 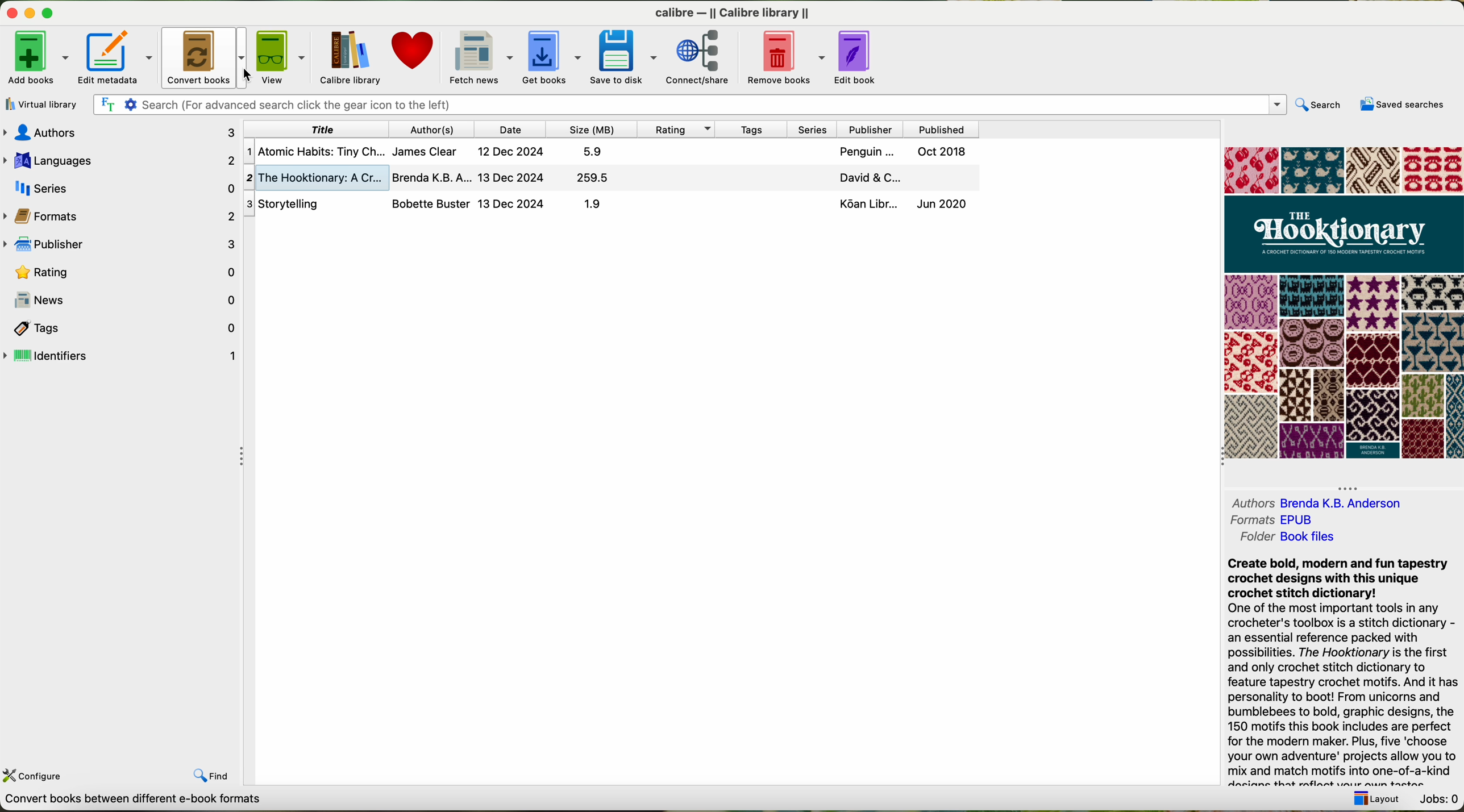 I want to click on publisher, so click(x=120, y=245).